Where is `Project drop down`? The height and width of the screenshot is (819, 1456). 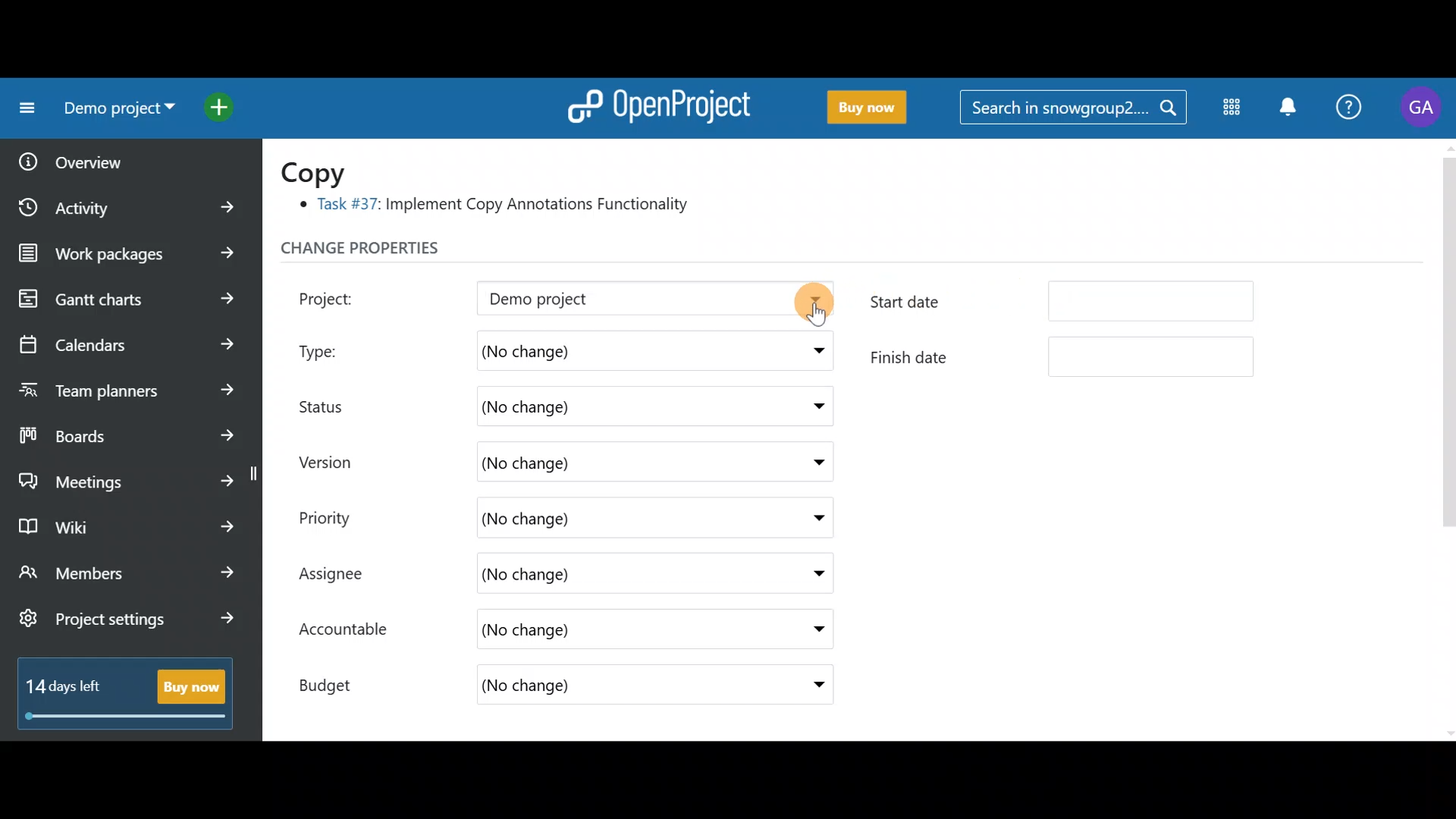 Project drop down is located at coordinates (810, 303).